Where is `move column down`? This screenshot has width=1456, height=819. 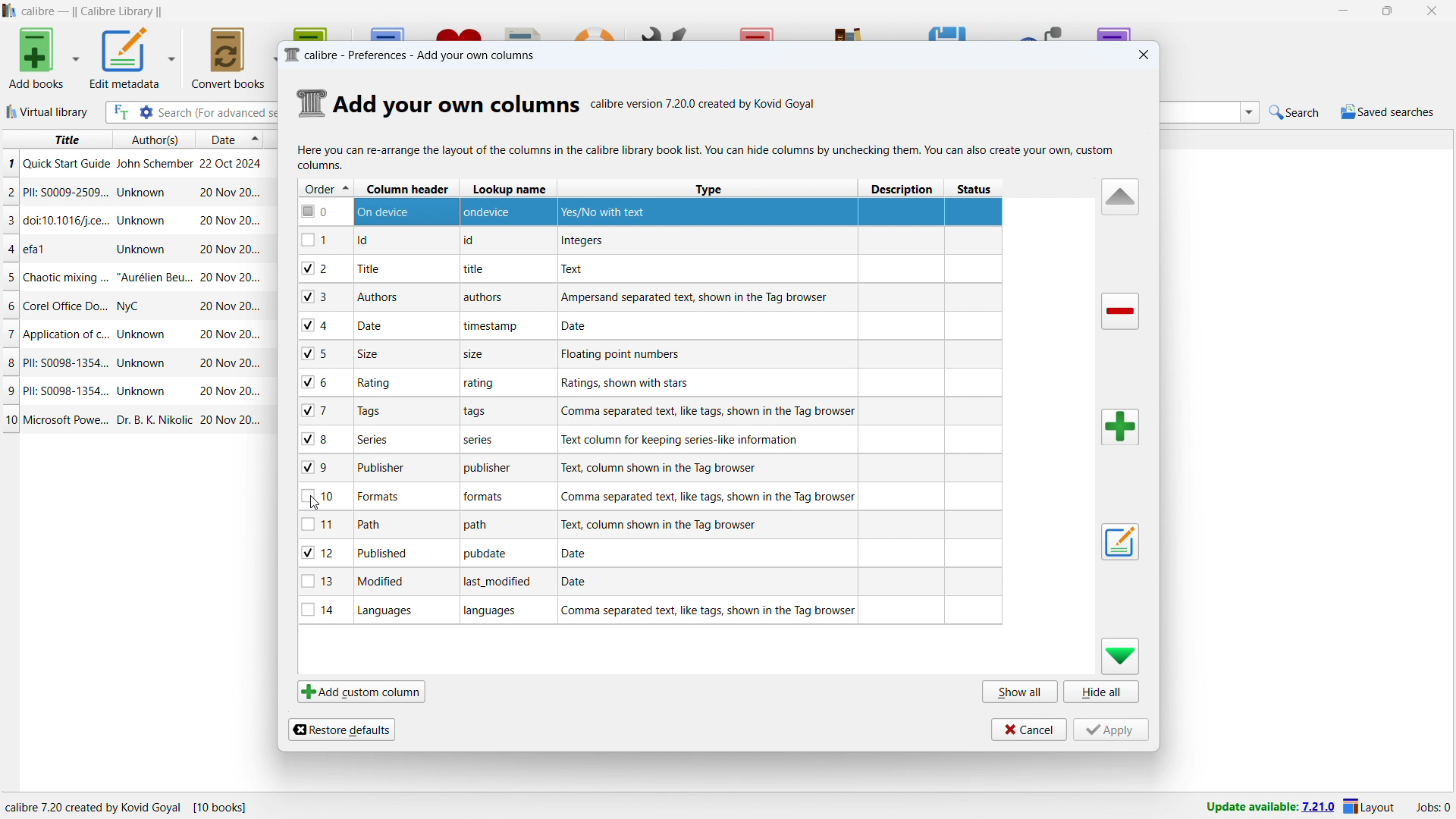 move column down is located at coordinates (1121, 657).